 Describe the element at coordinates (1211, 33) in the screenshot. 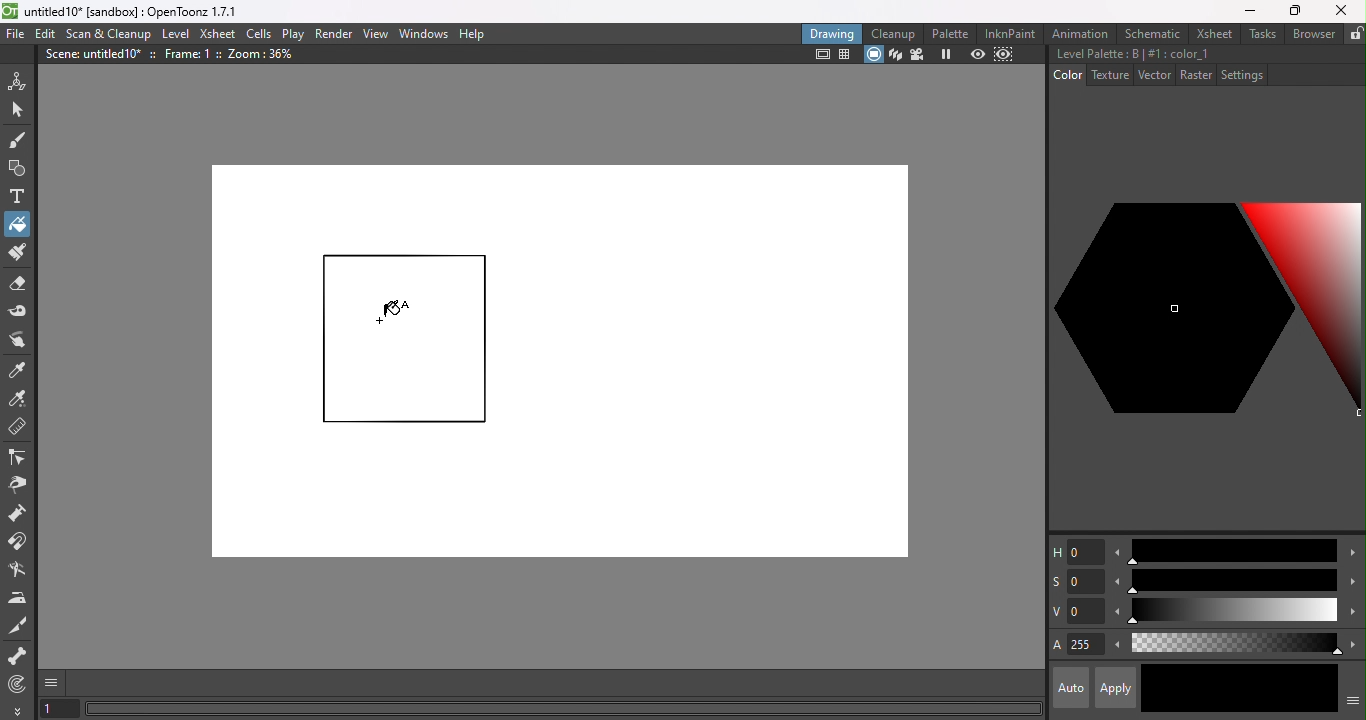

I see `Xsheet` at that location.